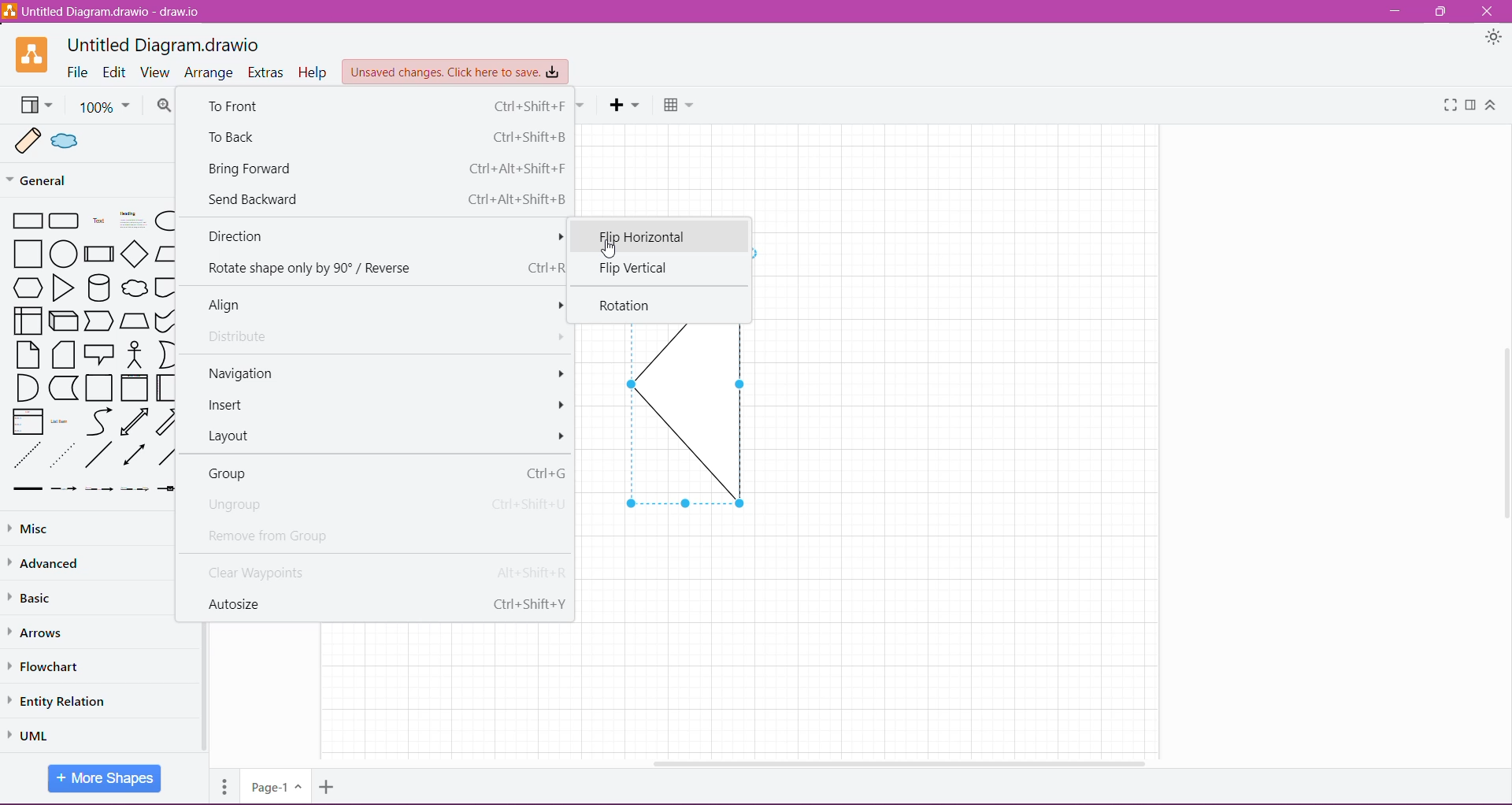 The width and height of the screenshot is (1512, 805). What do you see at coordinates (387, 139) in the screenshot?
I see `To Back Ctrl+Shift+B` at bounding box center [387, 139].